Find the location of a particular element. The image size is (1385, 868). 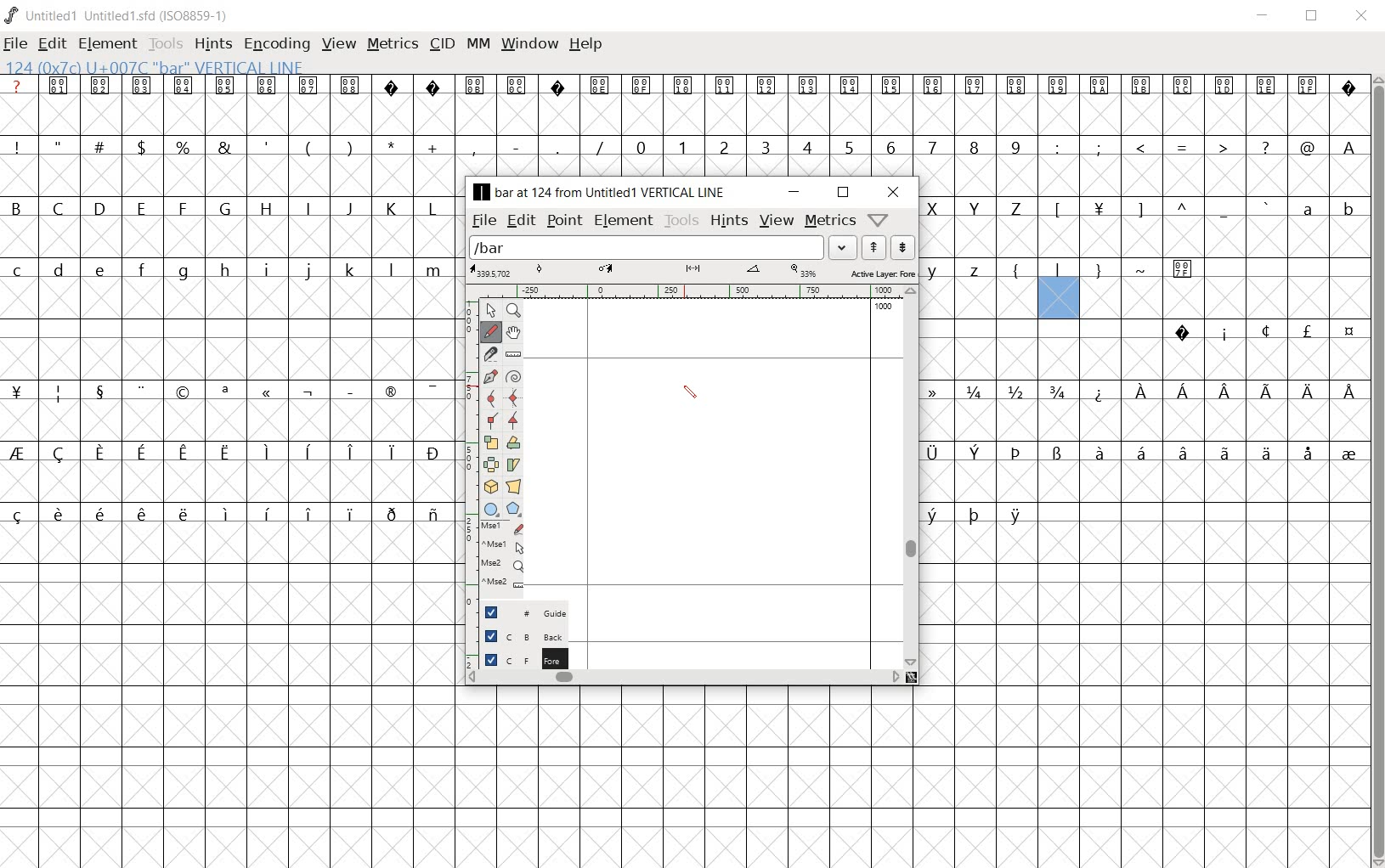

124(0*7c)U+007c"bar"Vertical Line is located at coordinates (163, 65).